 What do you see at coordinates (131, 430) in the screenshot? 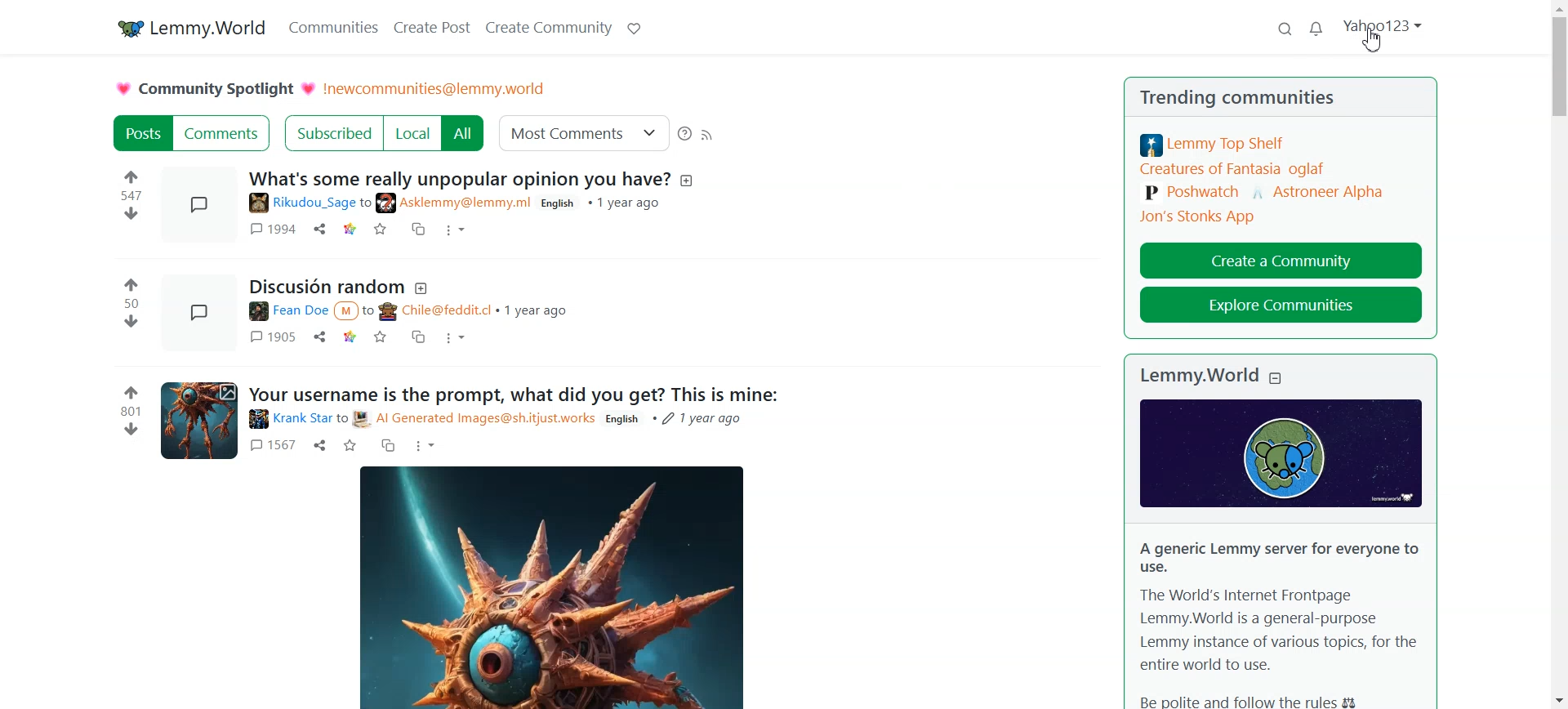
I see `downvote` at bounding box center [131, 430].